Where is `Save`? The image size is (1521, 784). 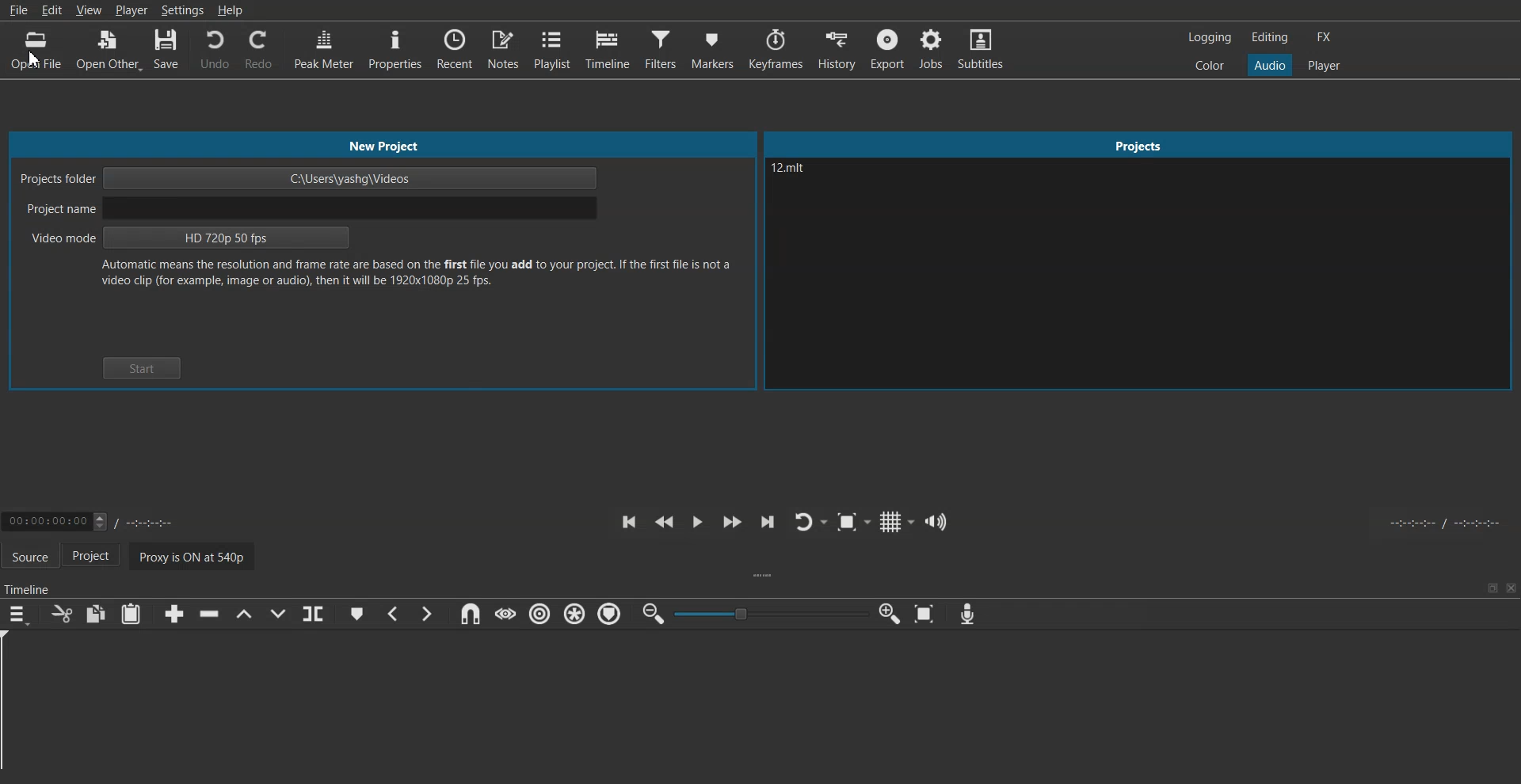
Save is located at coordinates (168, 49).